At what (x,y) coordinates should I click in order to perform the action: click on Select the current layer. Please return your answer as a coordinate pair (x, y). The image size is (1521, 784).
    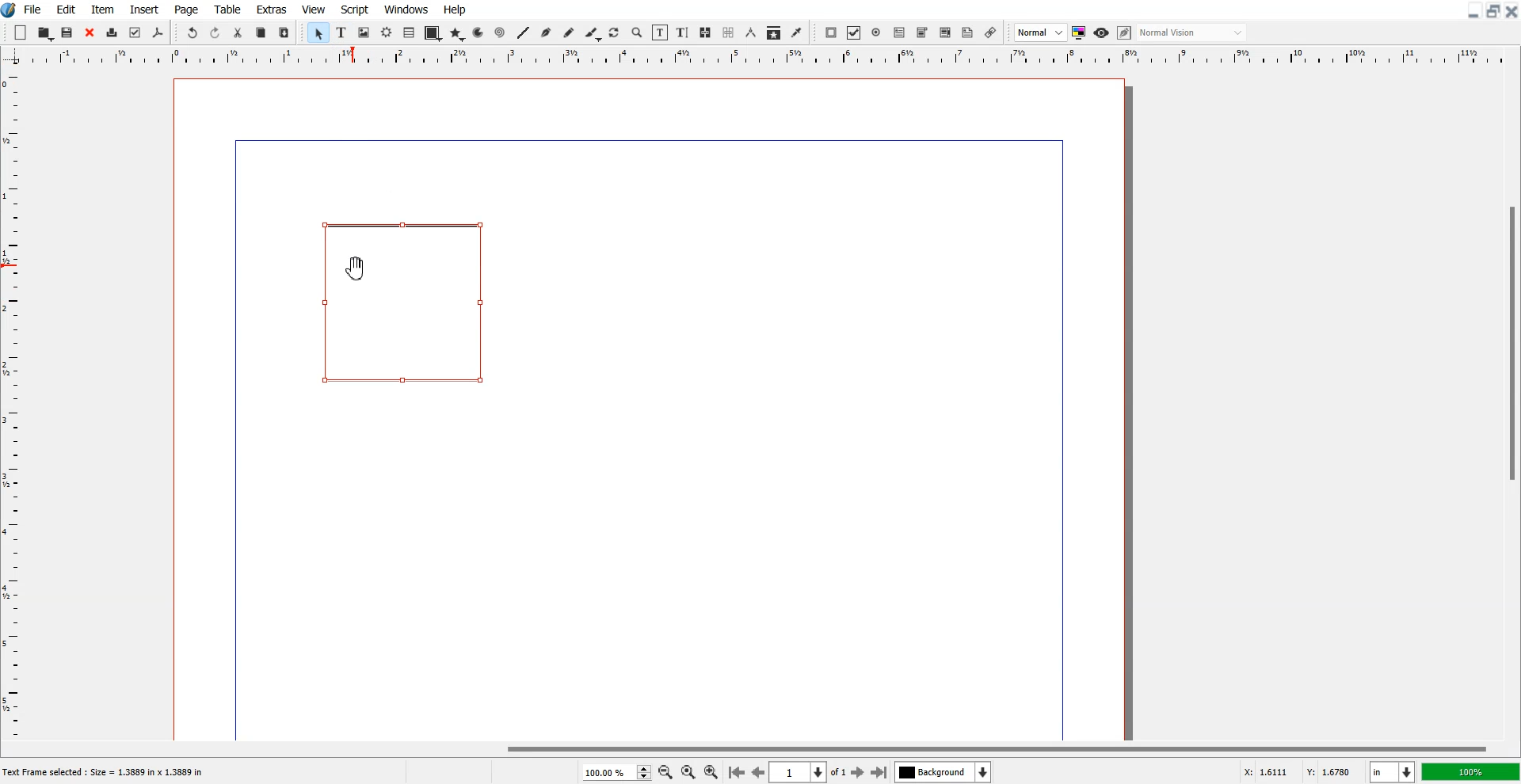
    Looking at the image, I should click on (945, 772).